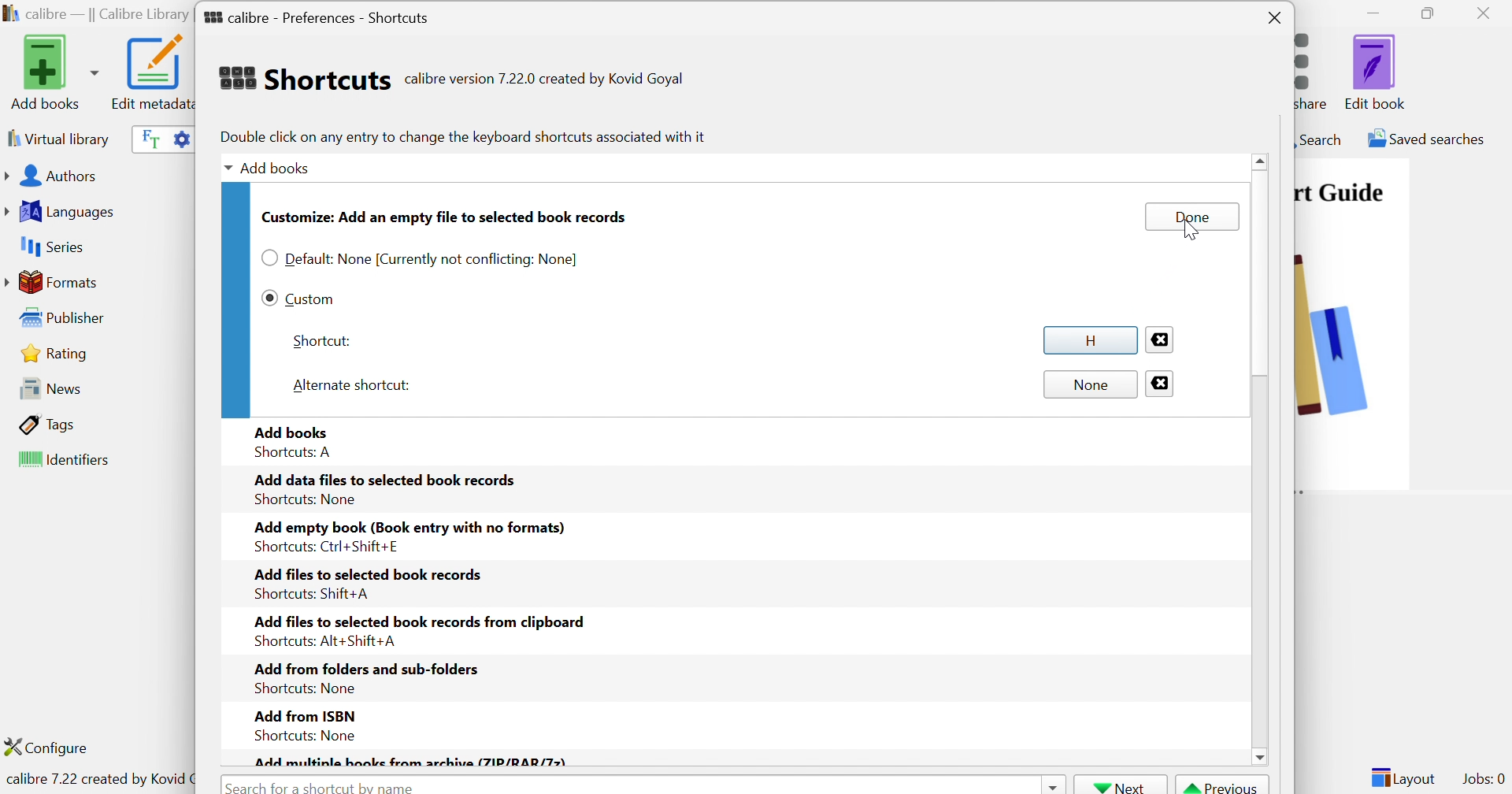 This screenshot has width=1512, height=794. I want to click on Shortcuts: Ctrl+Shift+E, so click(322, 547).